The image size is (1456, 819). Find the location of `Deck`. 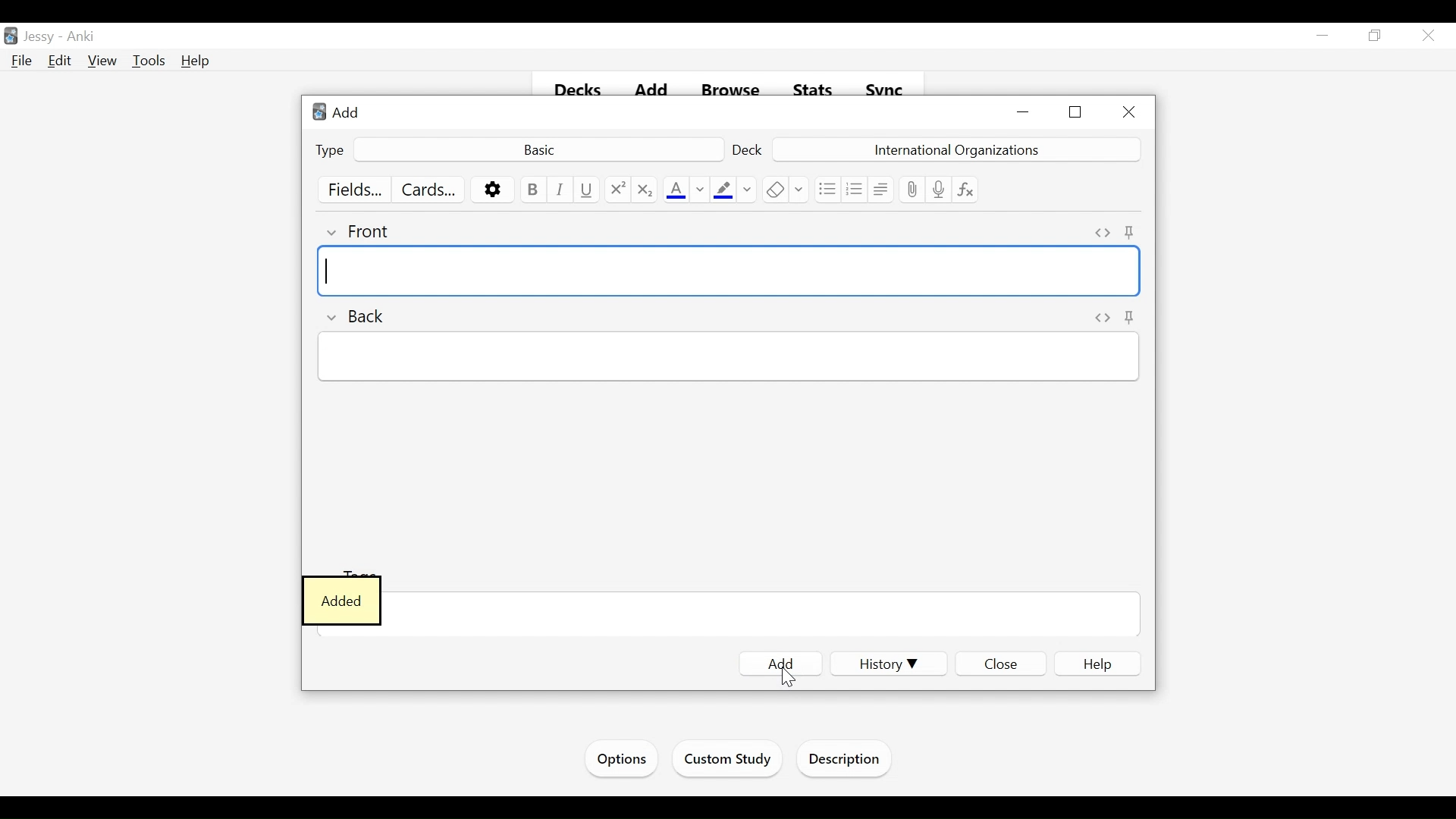

Deck is located at coordinates (748, 149).